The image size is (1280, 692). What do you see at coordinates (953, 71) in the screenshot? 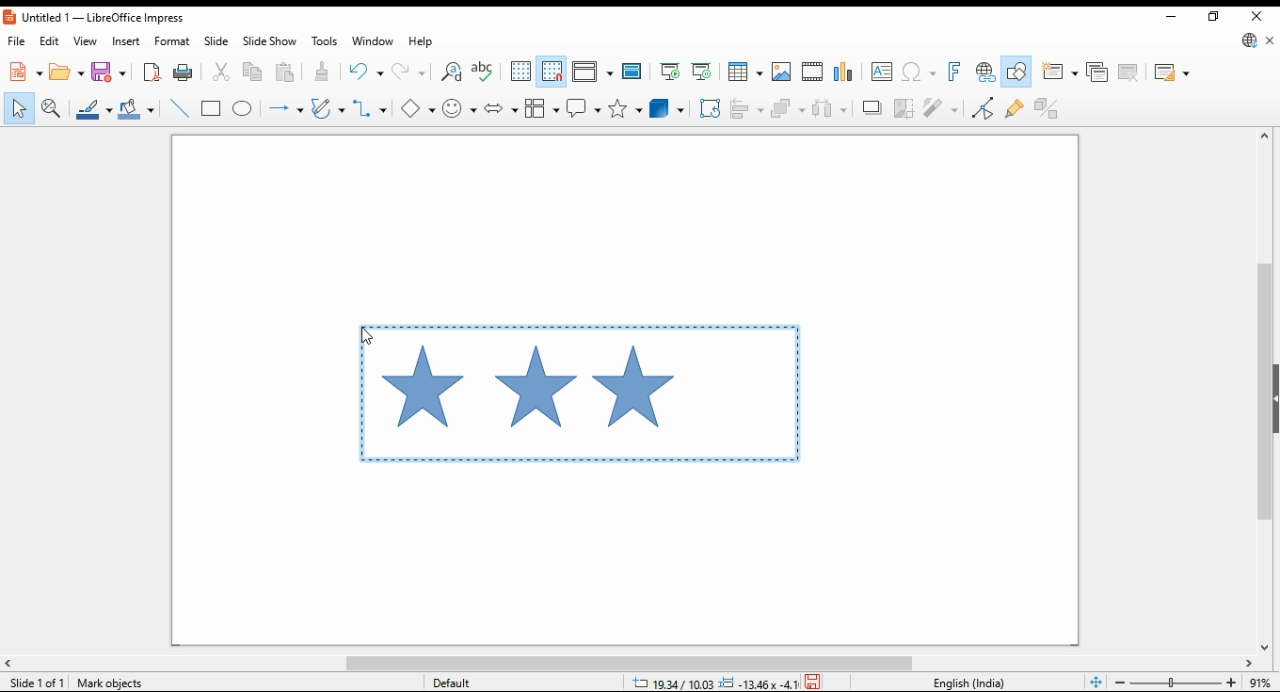
I see `insert fontwork text` at bounding box center [953, 71].